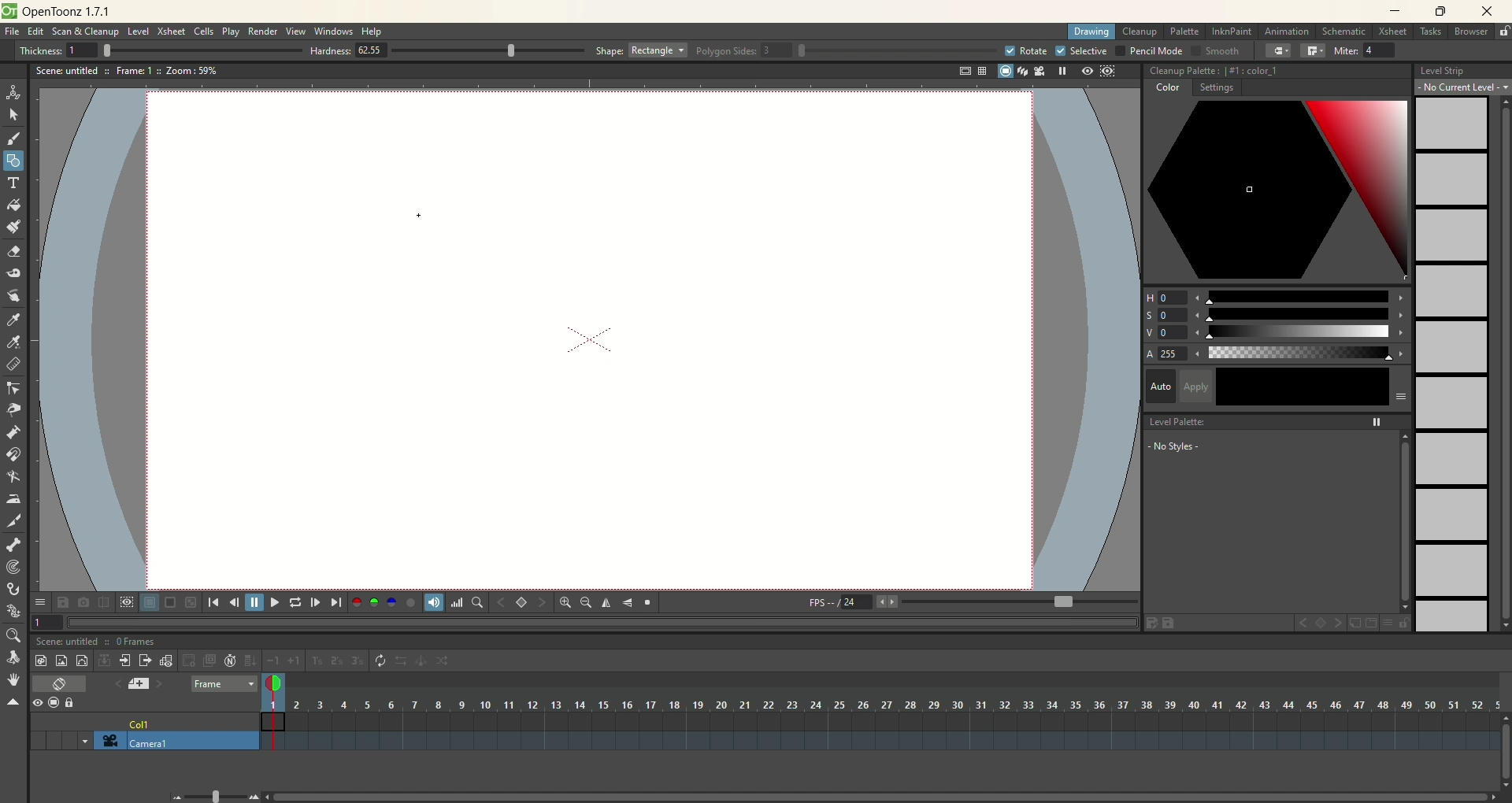  What do you see at coordinates (126, 661) in the screenshot?
I see `open sub-Xsheet` at bounding box center [126, 661].